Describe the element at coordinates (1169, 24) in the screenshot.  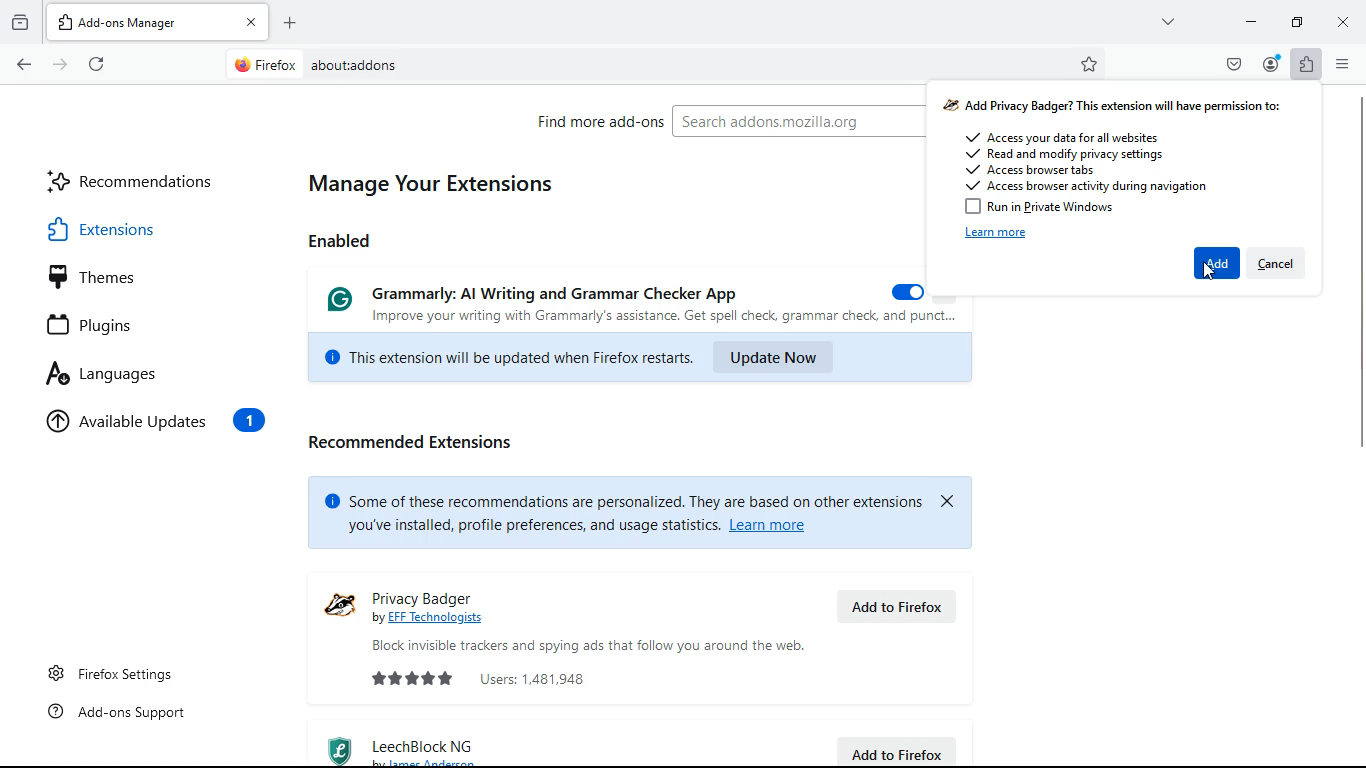
I see `more` at that location.